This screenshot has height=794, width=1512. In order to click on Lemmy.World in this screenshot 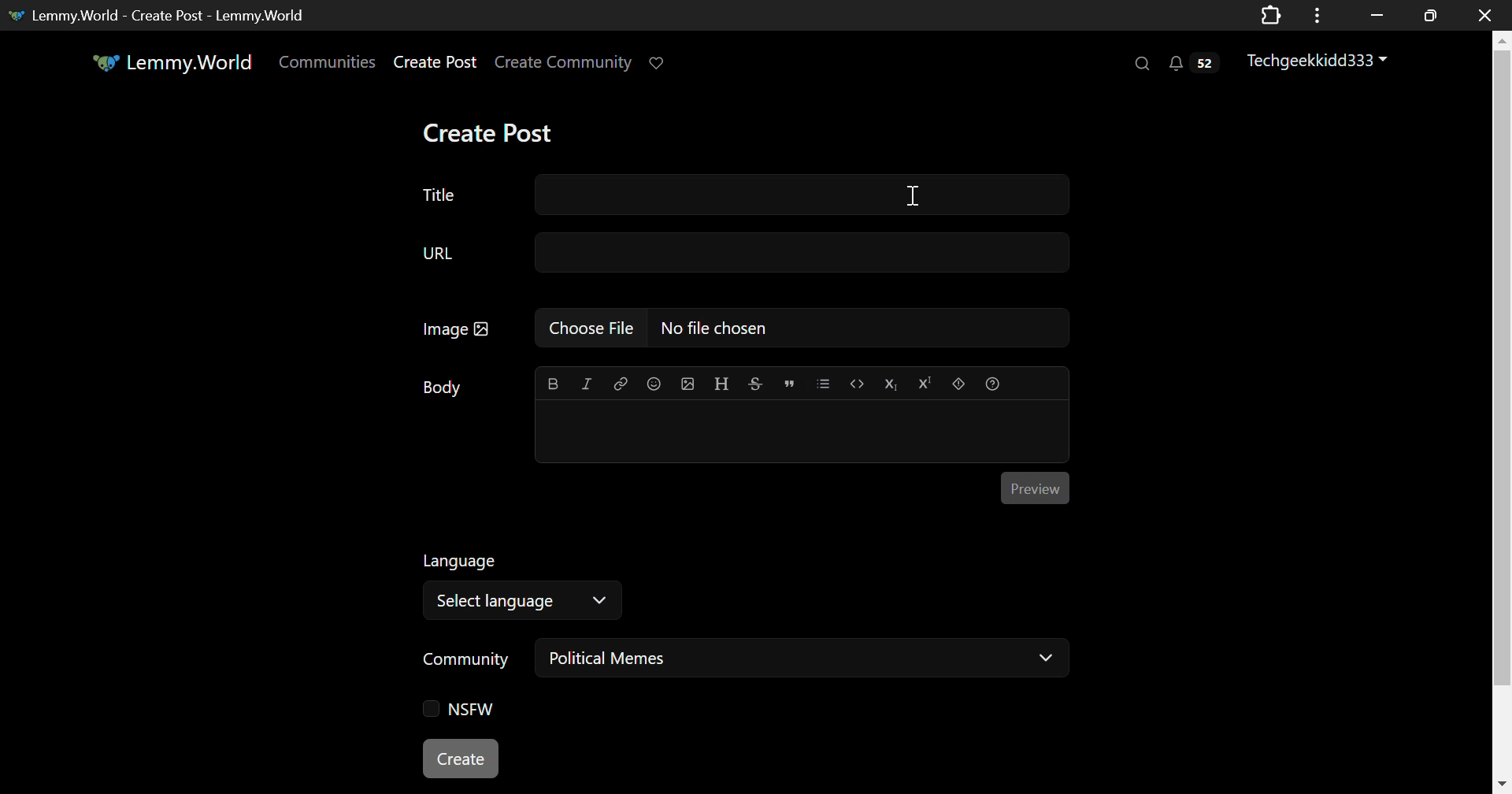, I will do `click(171, 61)`.